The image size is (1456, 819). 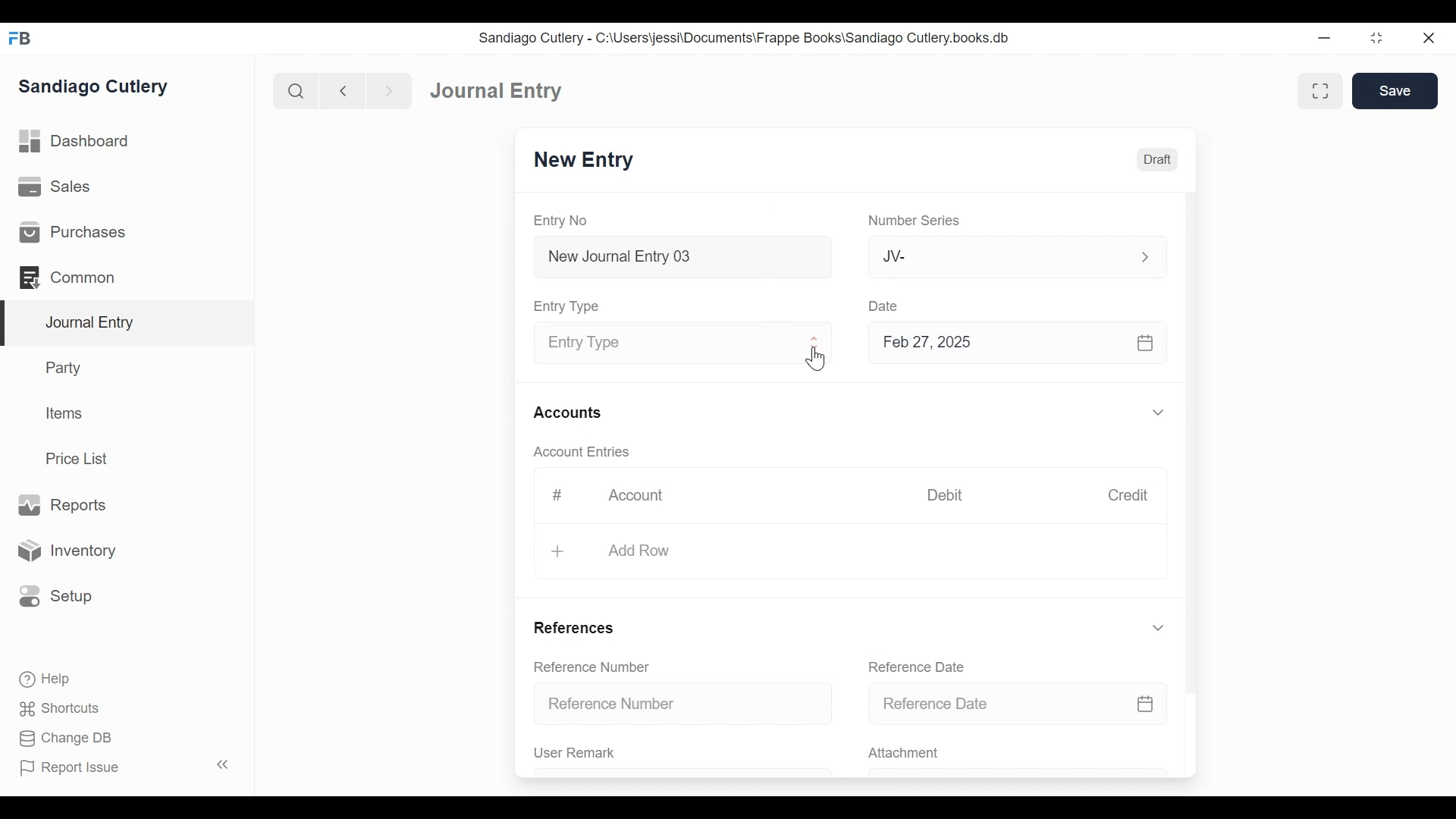 What do you see at coordinates (1320, 90) in the screenshot?
I see `Toggle between form and full width` at bounding box center [1320, 90].